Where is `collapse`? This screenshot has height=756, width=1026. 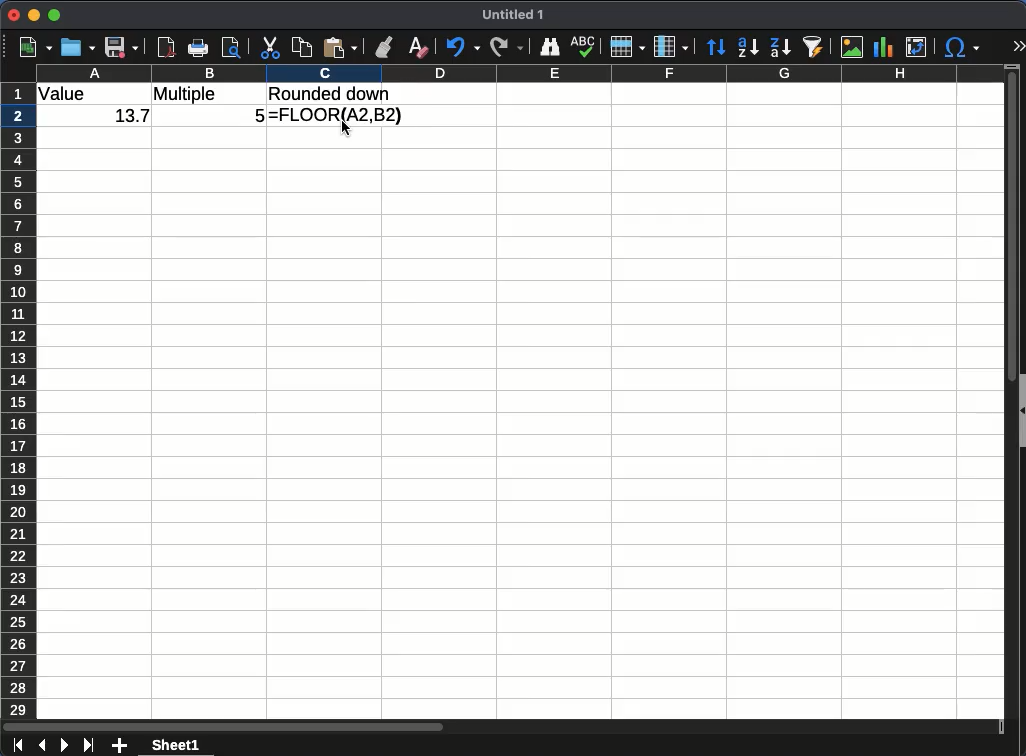 collapse is located at coordinates (1020, 410).